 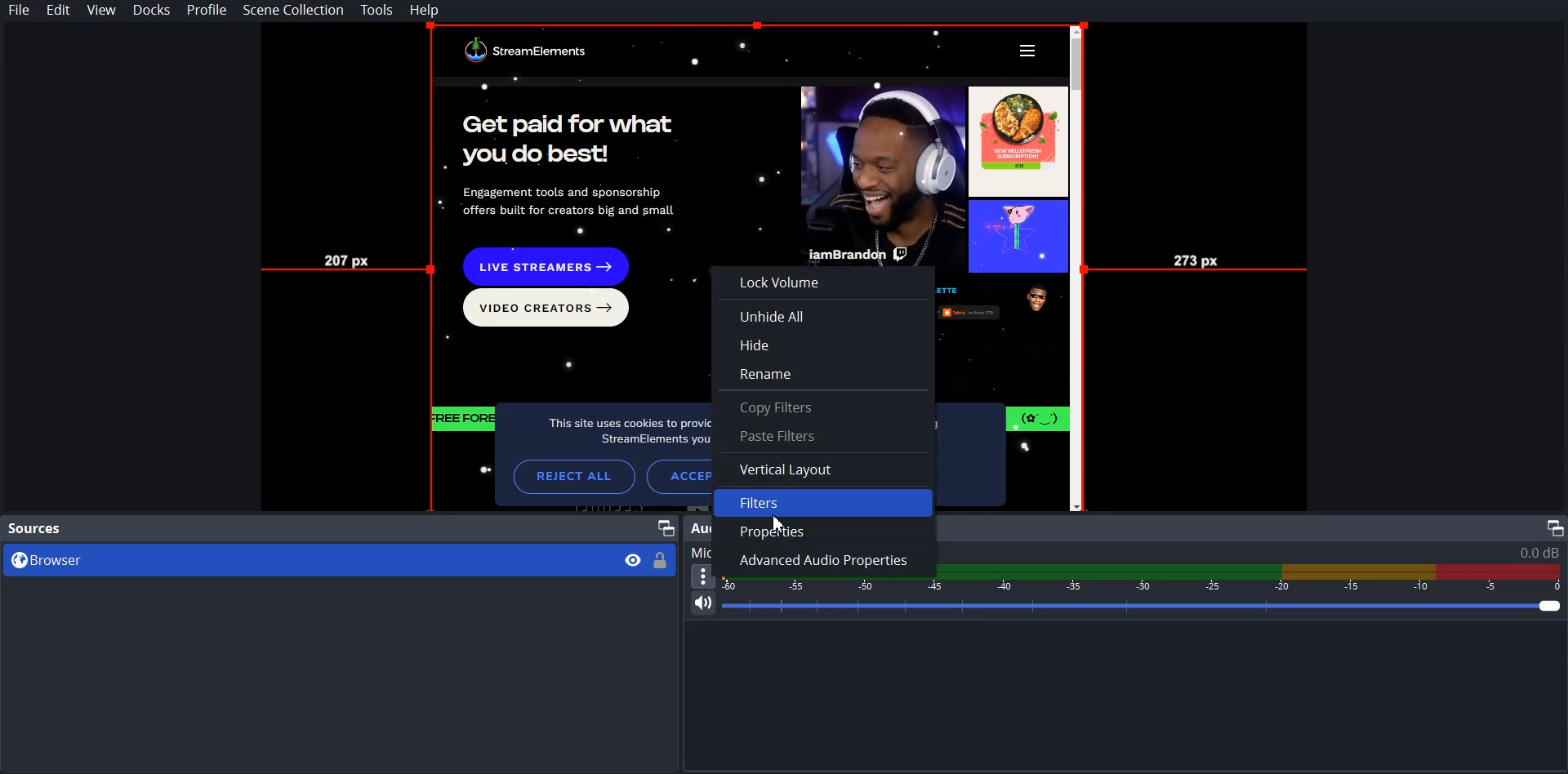 I want to click on Maximize, so click(x=670, y=527).